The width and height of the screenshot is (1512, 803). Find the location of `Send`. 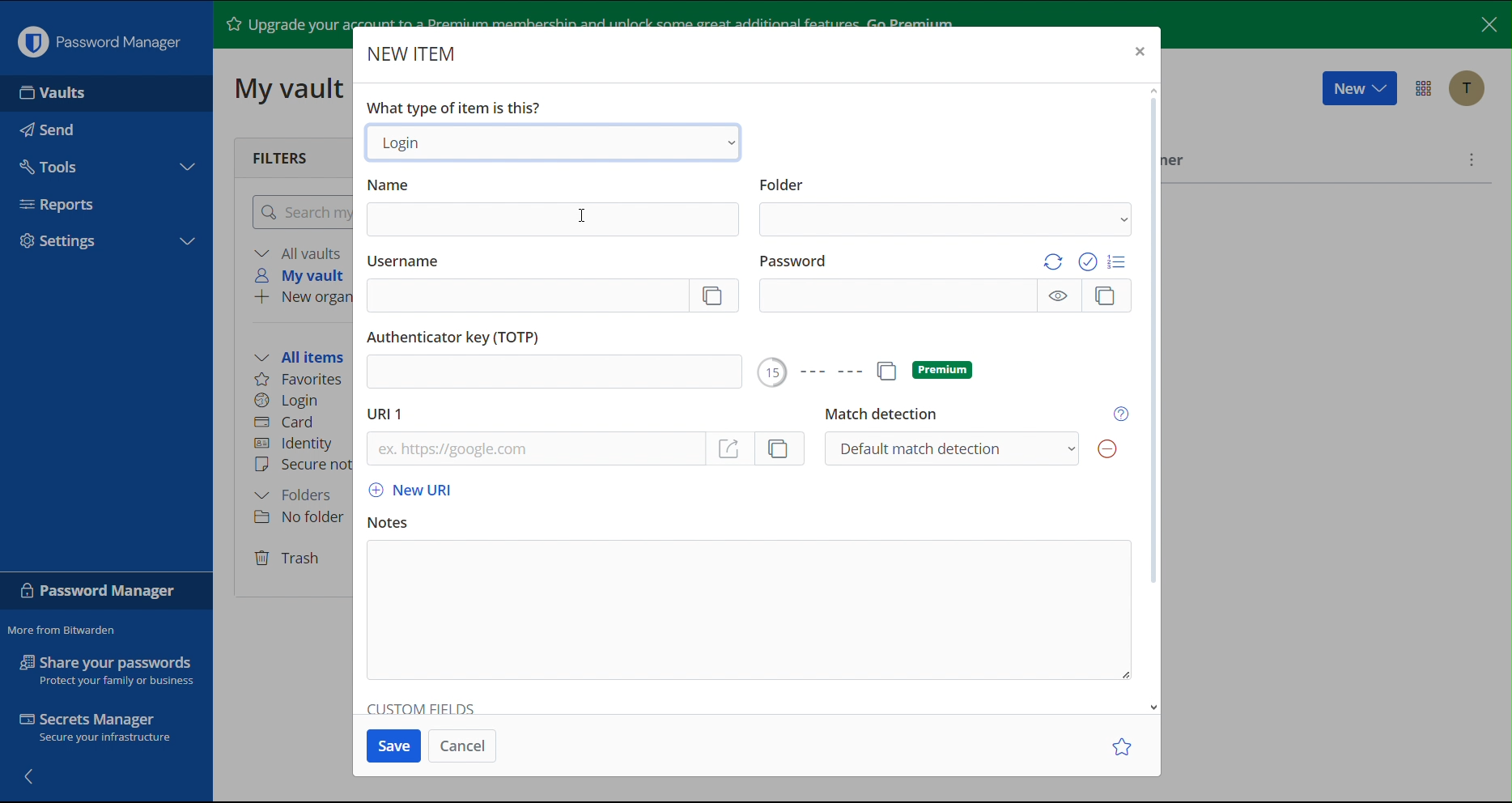

Send is located at coordinates (105, 127).